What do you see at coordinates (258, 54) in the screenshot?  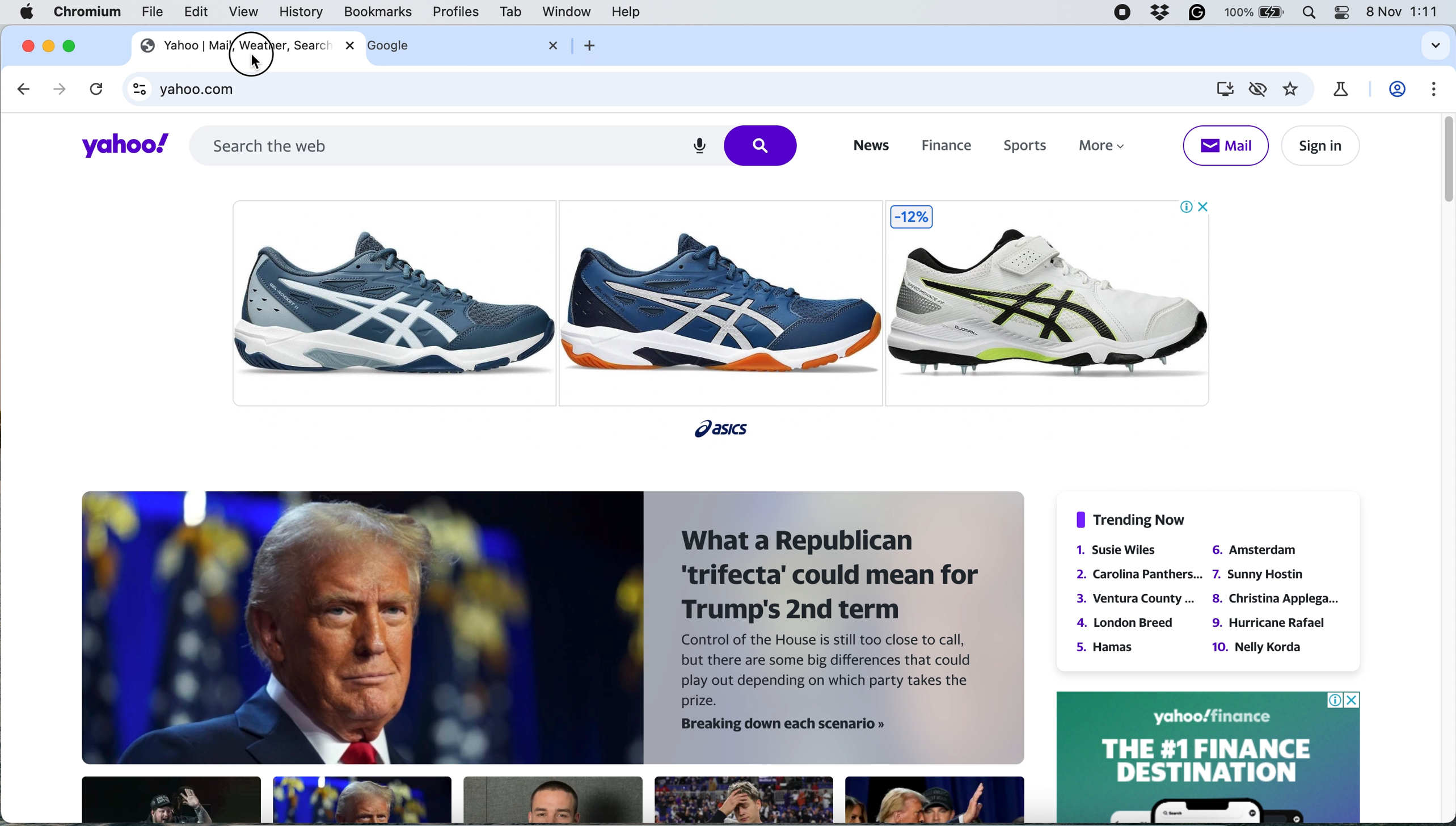 I see `cursor` at bounding box center [258, 54].